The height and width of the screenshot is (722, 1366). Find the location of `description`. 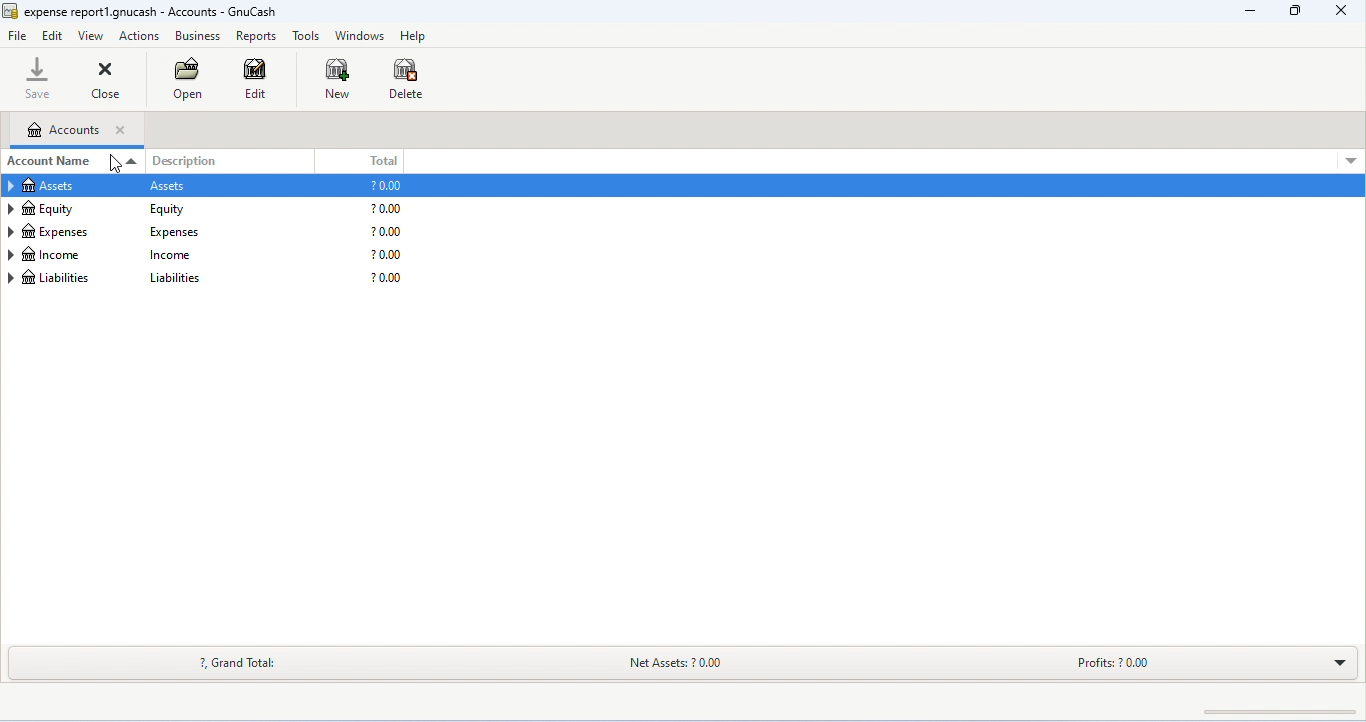

description is located at coordinates (189, 162).